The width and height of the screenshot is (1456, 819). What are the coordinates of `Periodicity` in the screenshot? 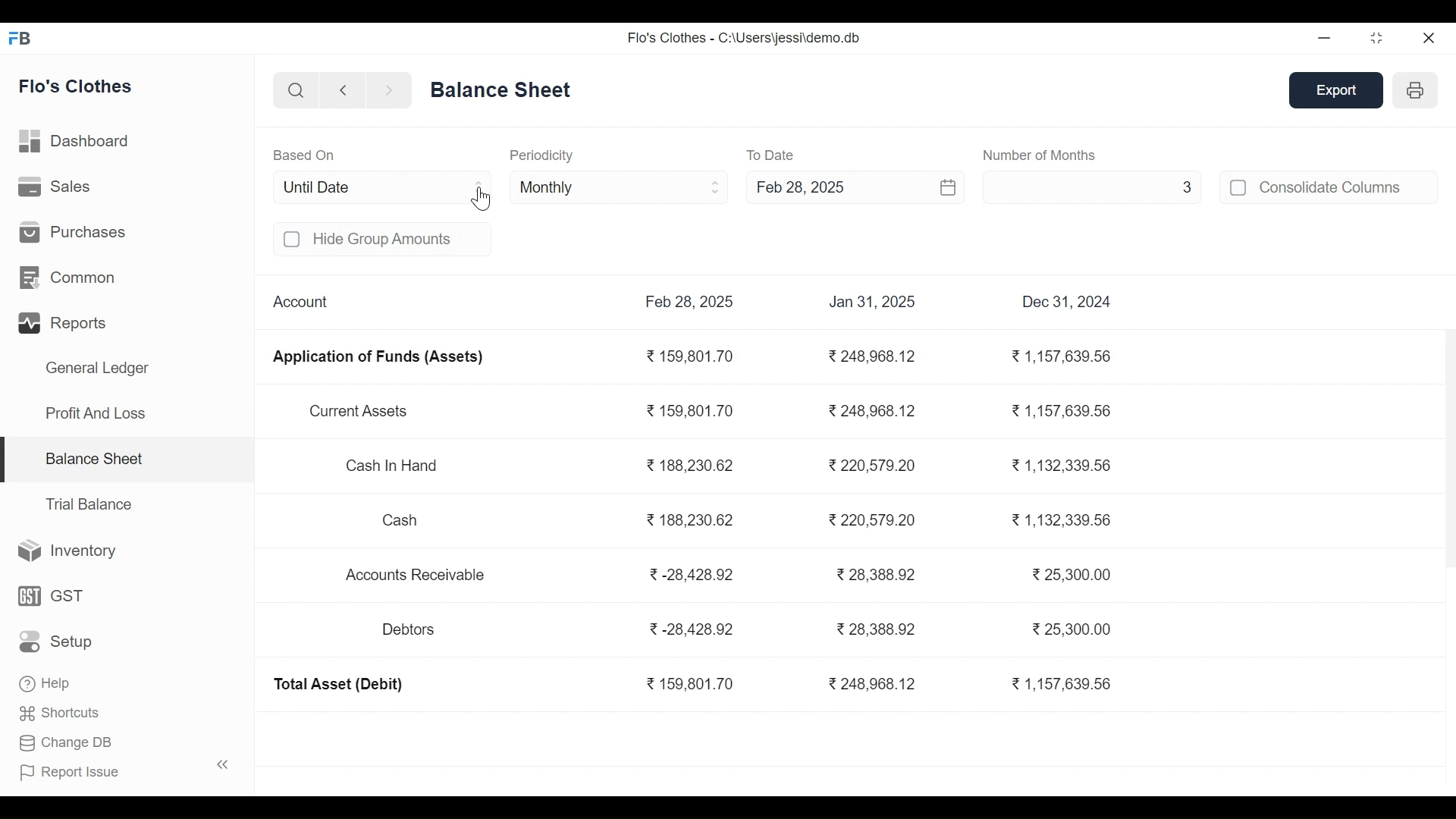 It's located at (541, 155).